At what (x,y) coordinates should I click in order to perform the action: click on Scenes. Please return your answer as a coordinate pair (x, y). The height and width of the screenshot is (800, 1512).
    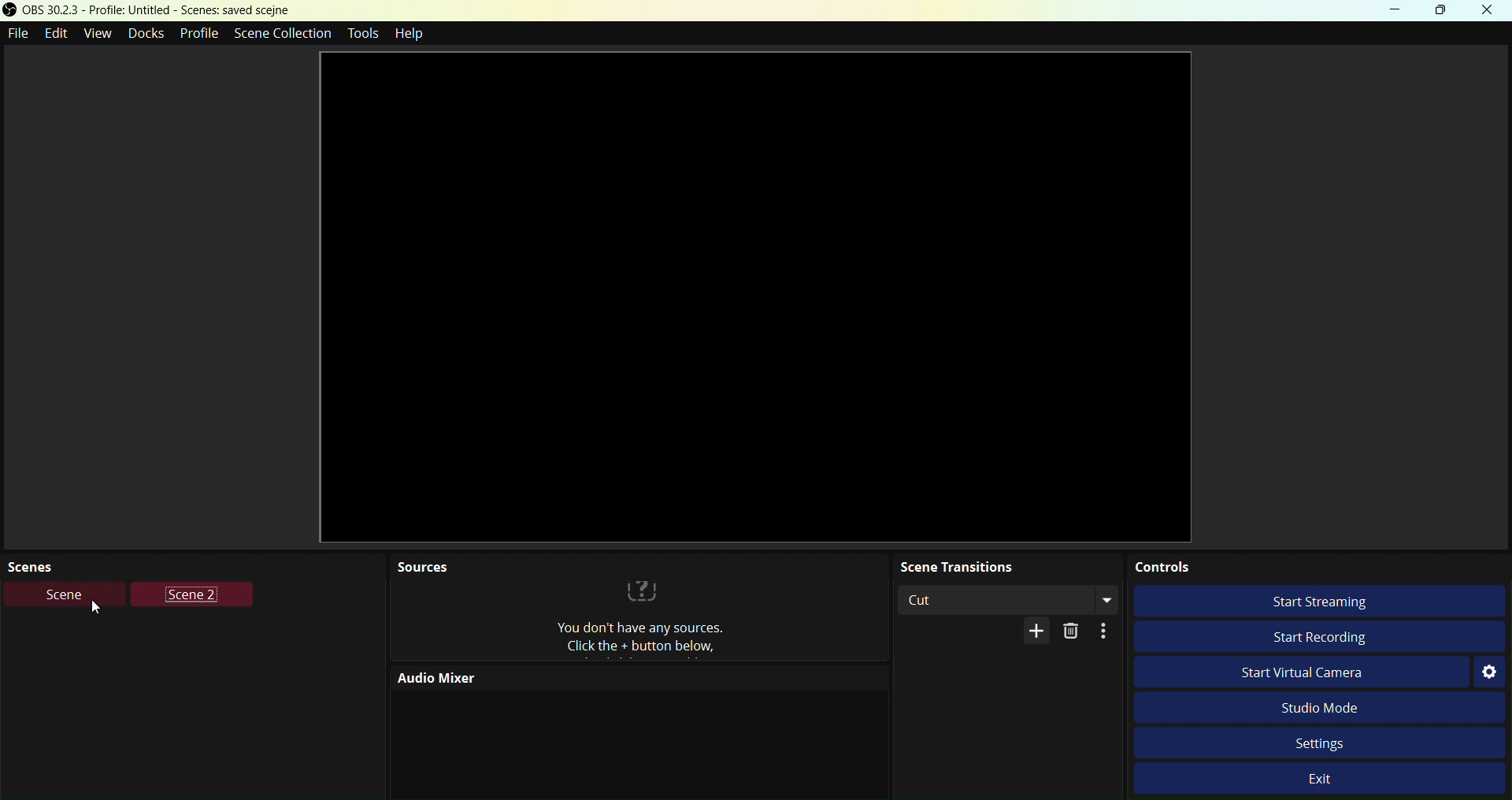
    Looking at the image, I should click on (49, 564).